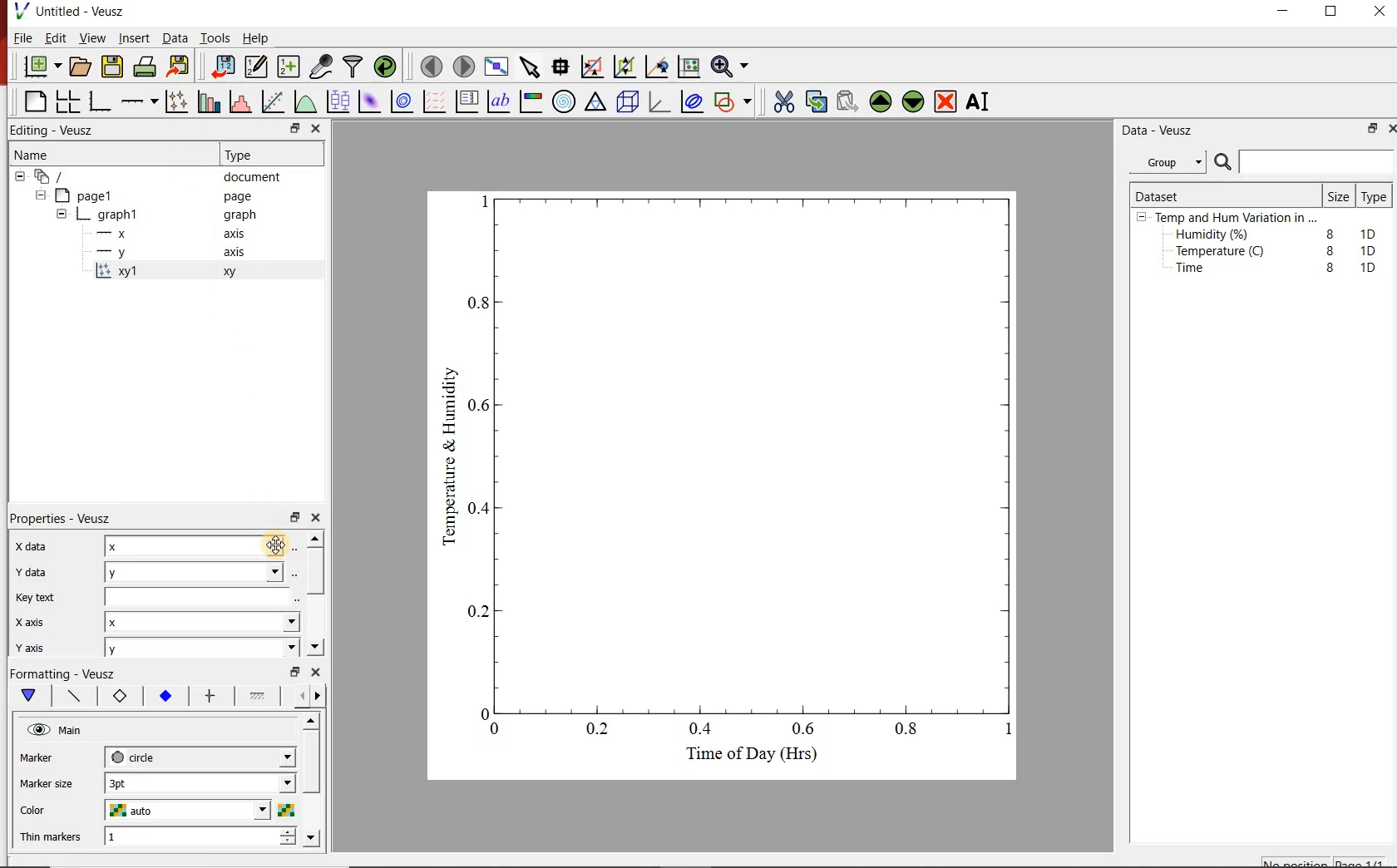  I want to click on Data, so click(171, 38).